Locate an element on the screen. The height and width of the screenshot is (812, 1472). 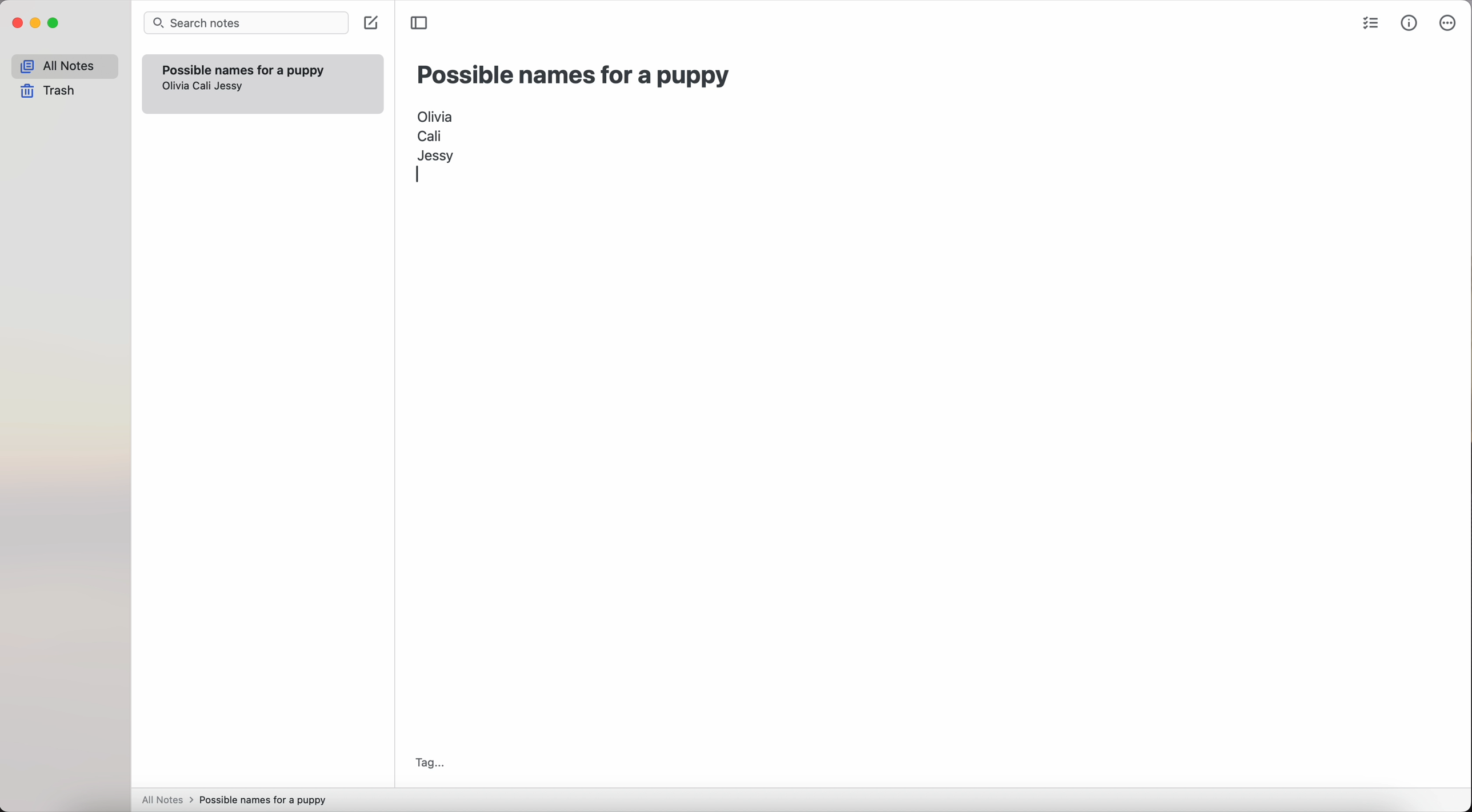
possible names for a puppy note is located at coordinates (243, 68).